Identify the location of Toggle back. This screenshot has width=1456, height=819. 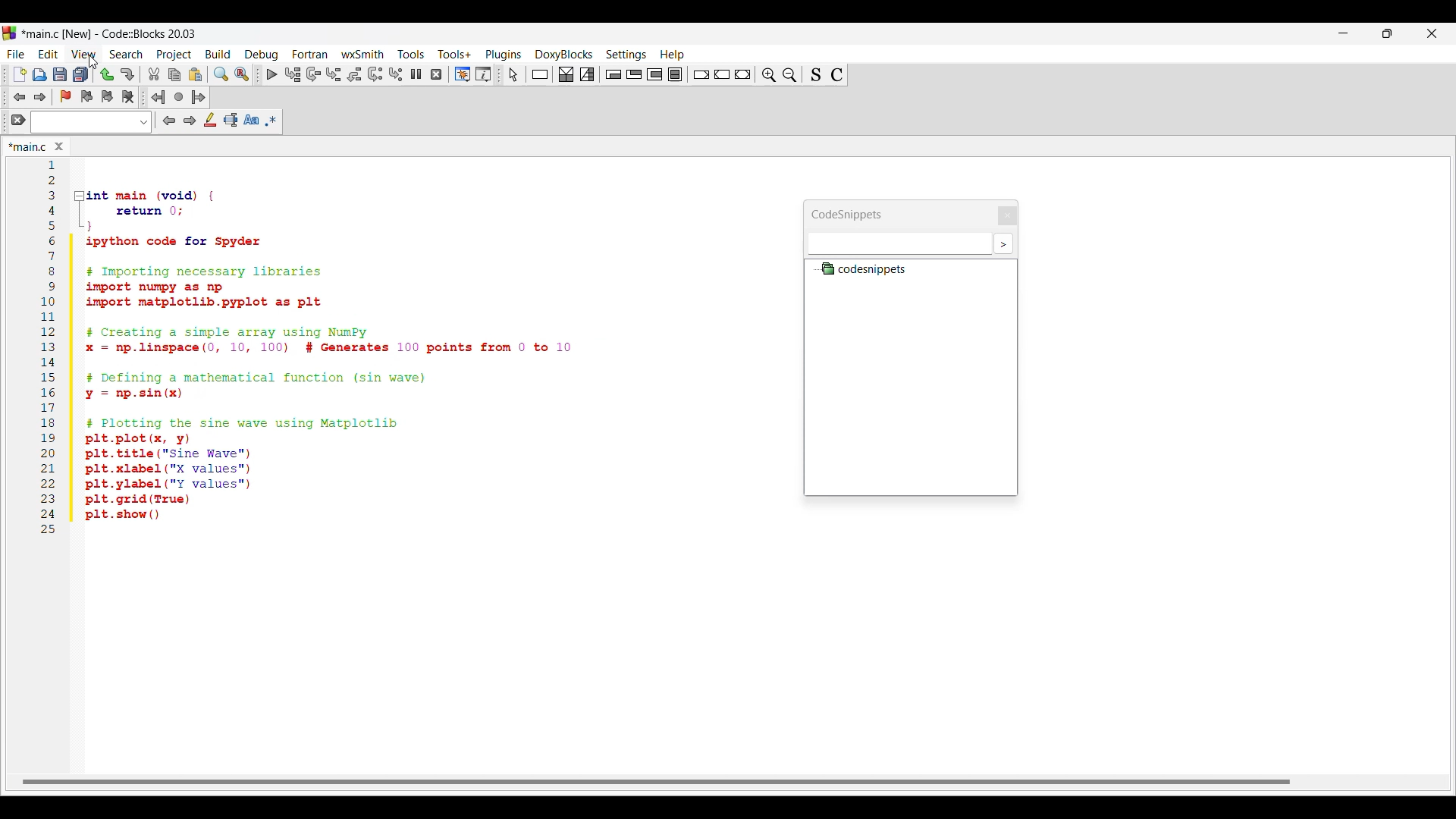
(20, 98).